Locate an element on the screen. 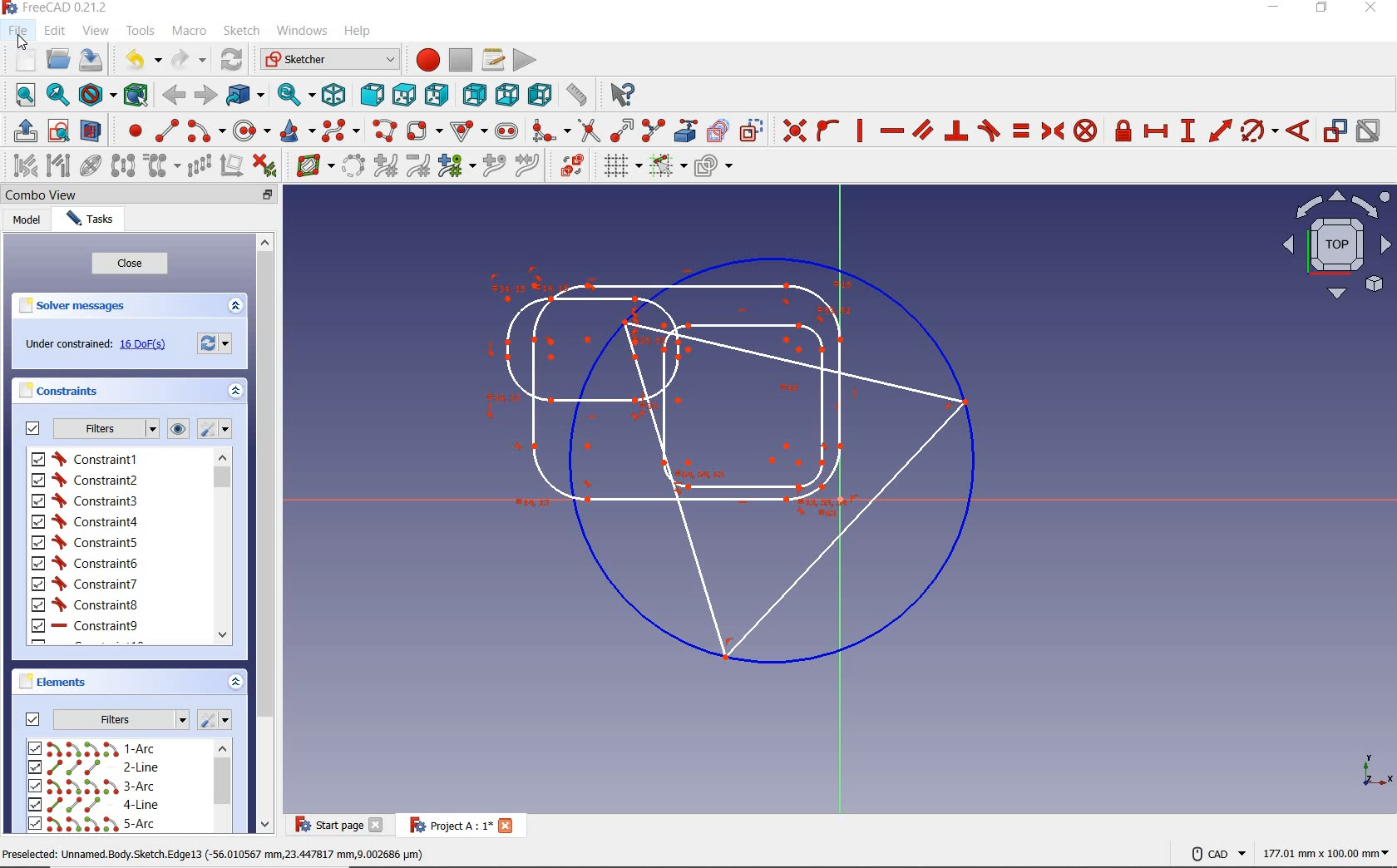  switch virtual space is located at coordinates (565, 165).